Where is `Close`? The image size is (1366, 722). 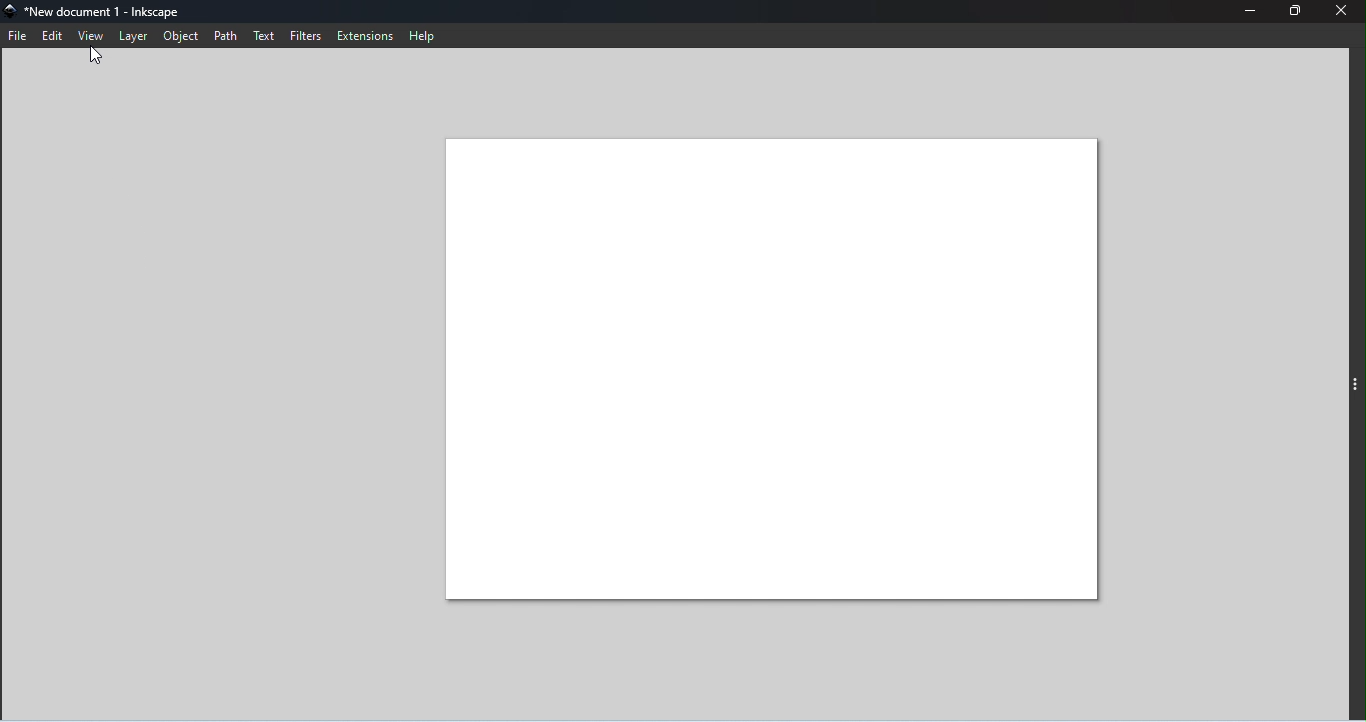 Close is located at coordinates (1345, 13).